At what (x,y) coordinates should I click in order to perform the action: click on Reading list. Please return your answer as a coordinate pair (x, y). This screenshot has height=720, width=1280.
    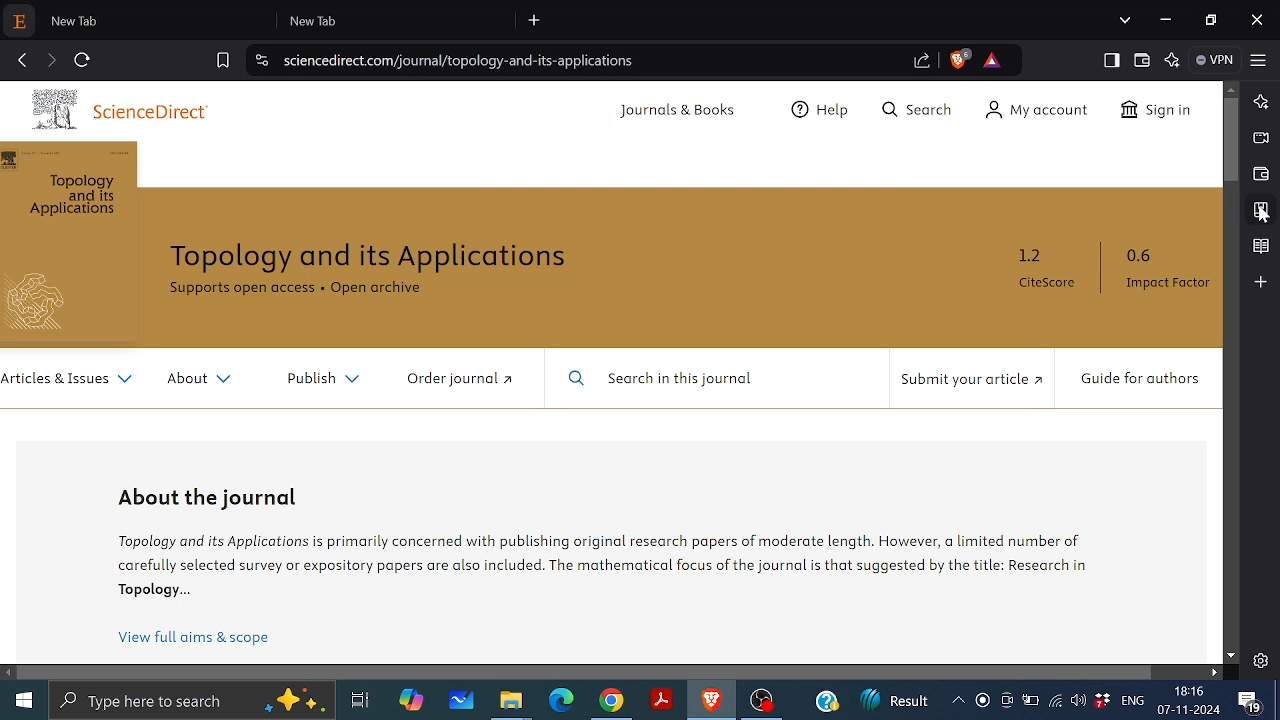
    Looking at the image, I should click on (1260, 247).